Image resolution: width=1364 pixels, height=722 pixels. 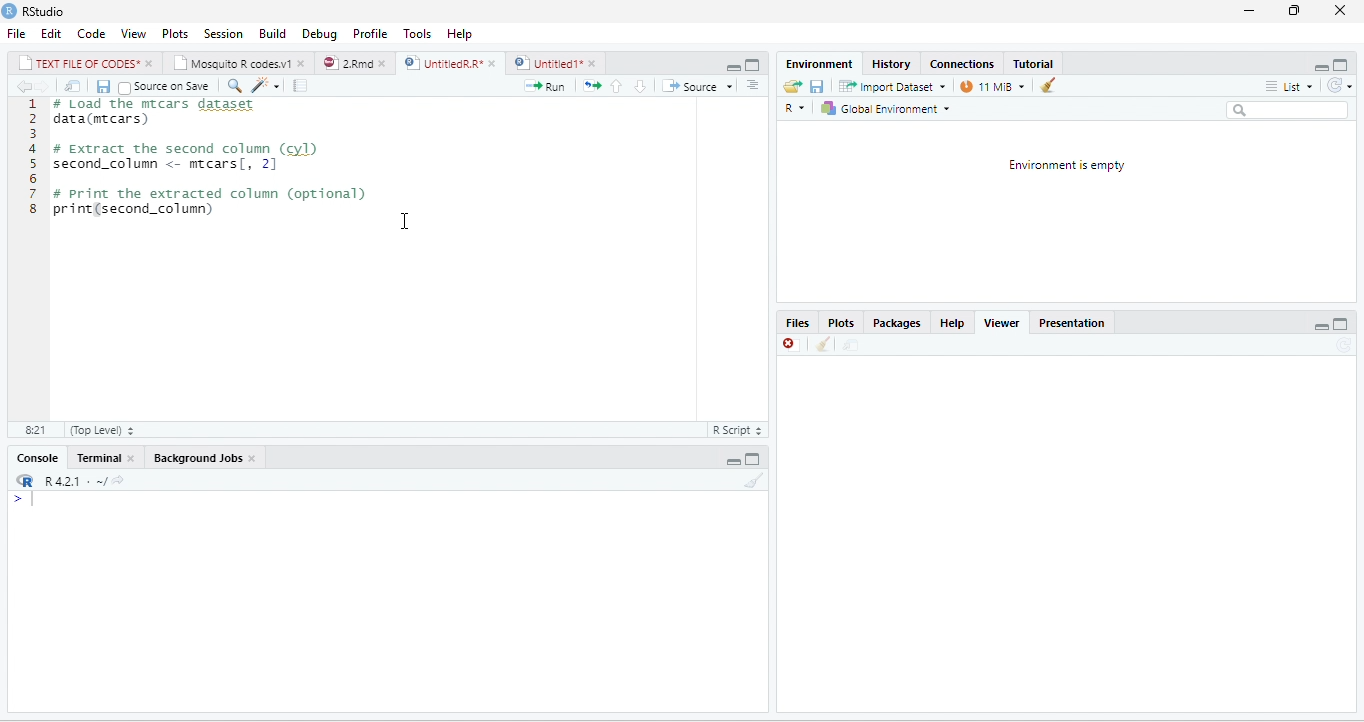 I want to click on go to previous section/chunk, so click(x=616, y=85).